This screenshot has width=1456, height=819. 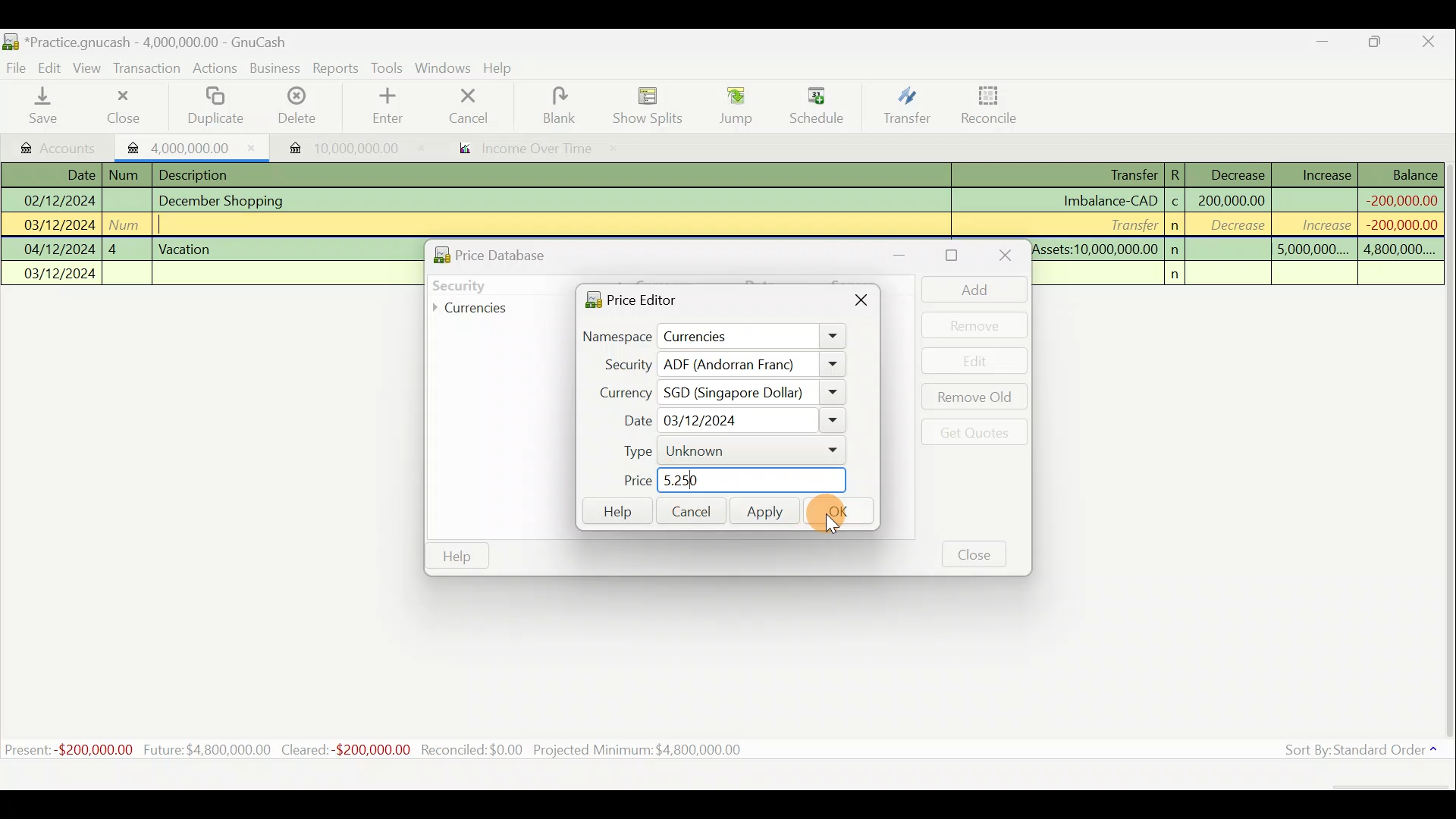 What do you see at coordinates (967, 289) in the screenshot?
I see `Add` at bounding box center [967, 289].